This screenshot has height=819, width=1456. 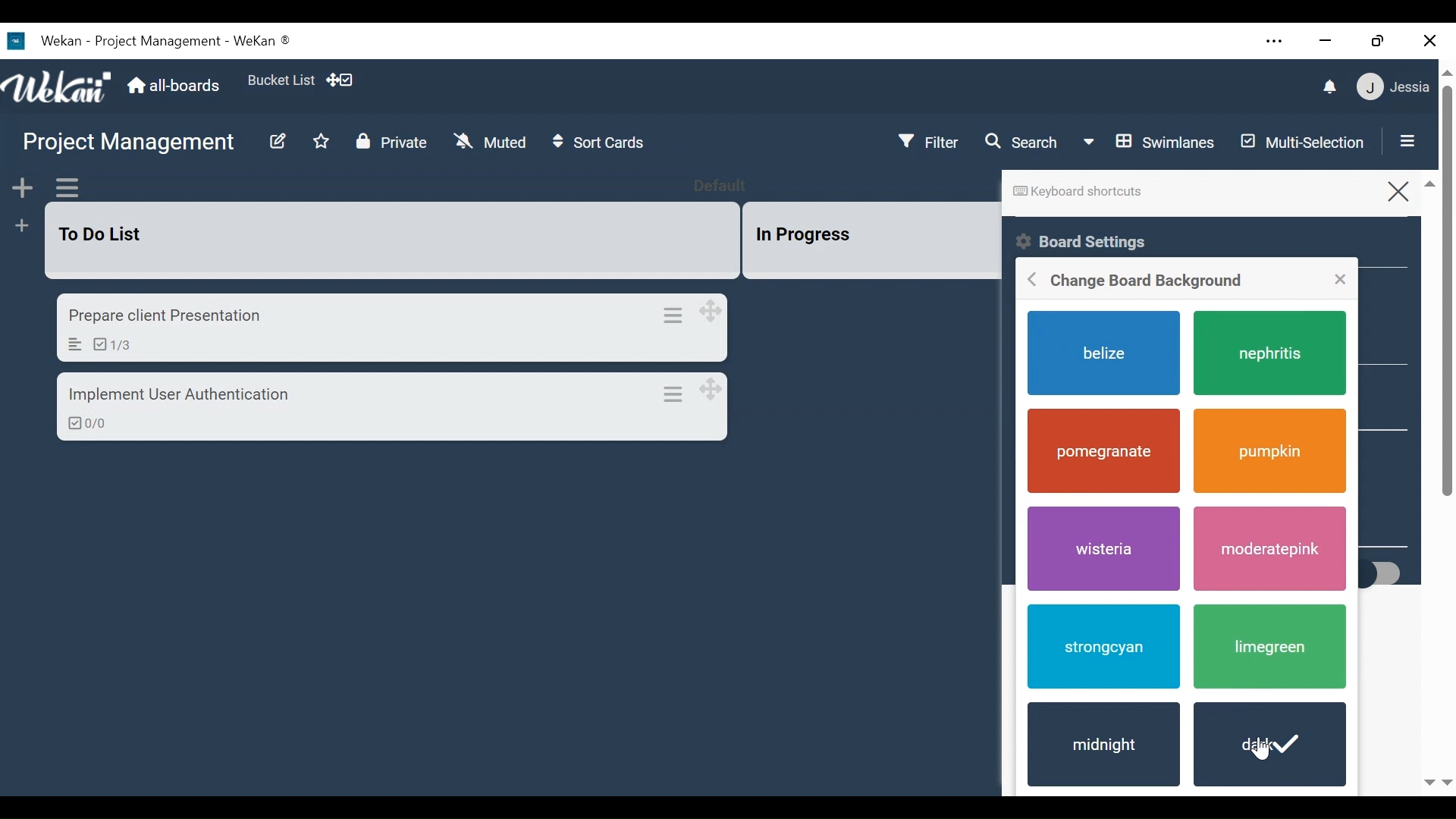 I want to click on Board settings, so click(x=1096, y=241).